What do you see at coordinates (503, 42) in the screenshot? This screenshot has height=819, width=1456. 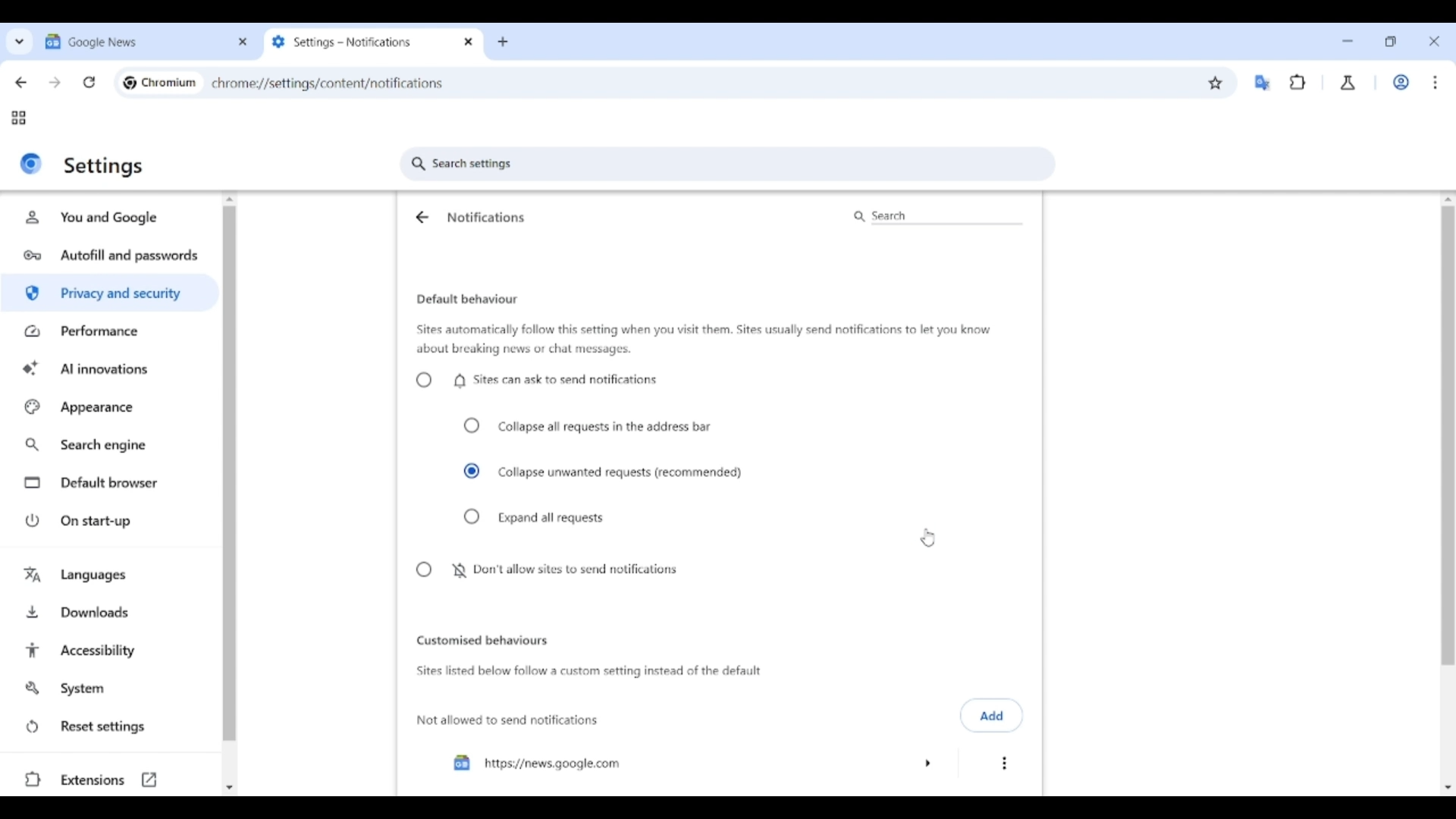 I see `Add new tab` at bounding box center [503, 42].